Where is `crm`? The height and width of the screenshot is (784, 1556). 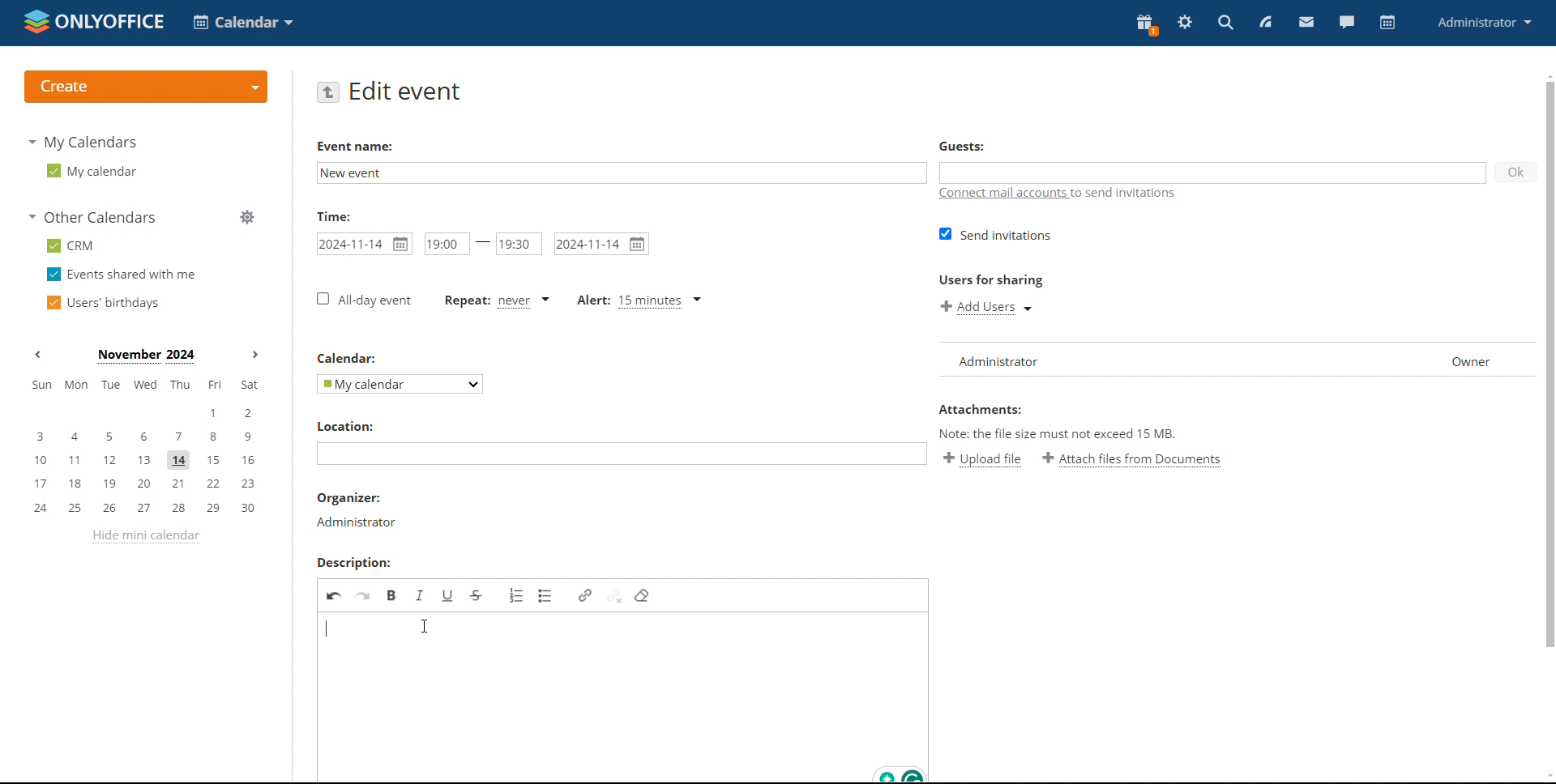
crm is located at coordinates (68, 245).